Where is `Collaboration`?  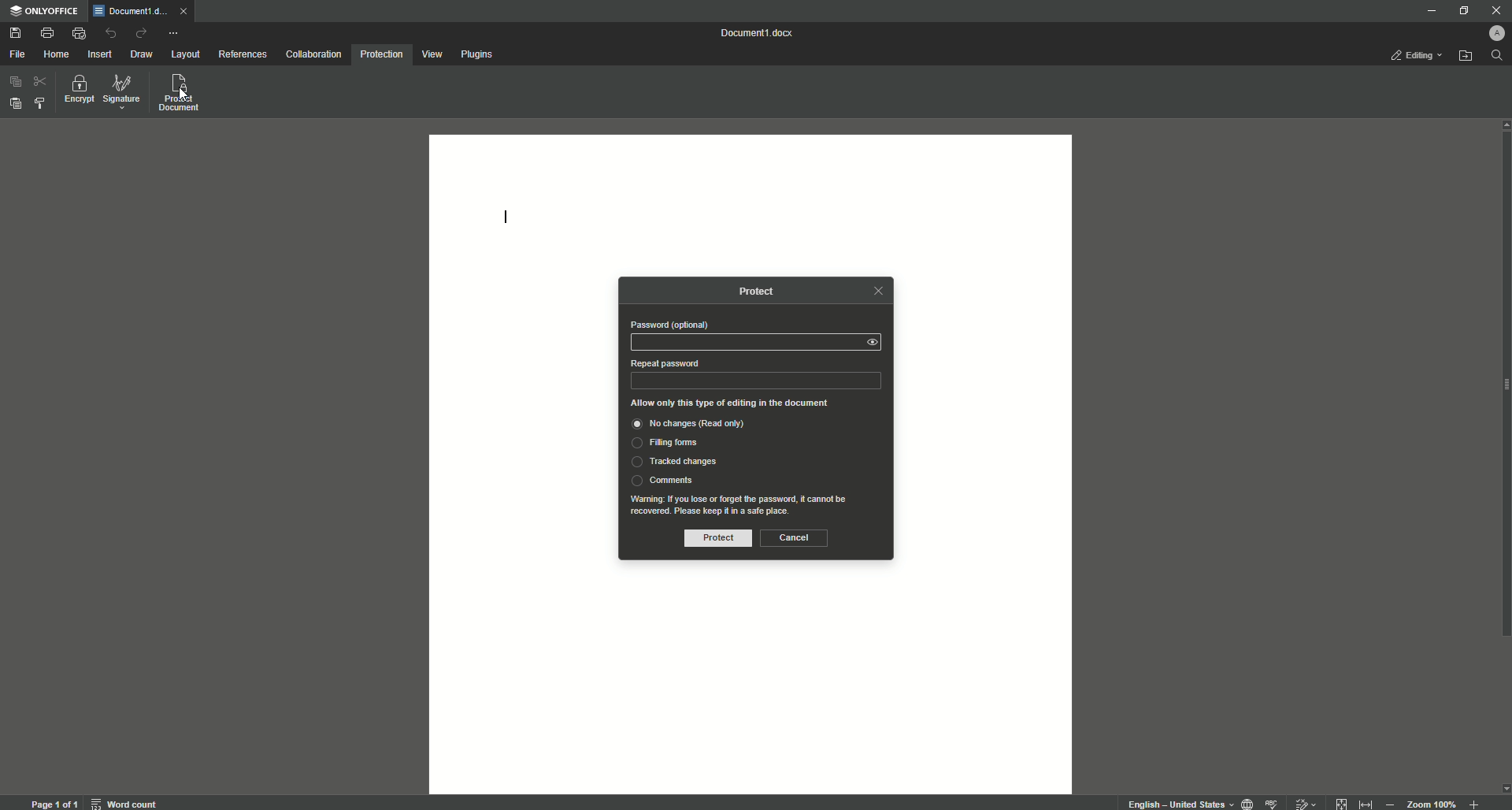
Collaboration is located at coordinates (314, 54).